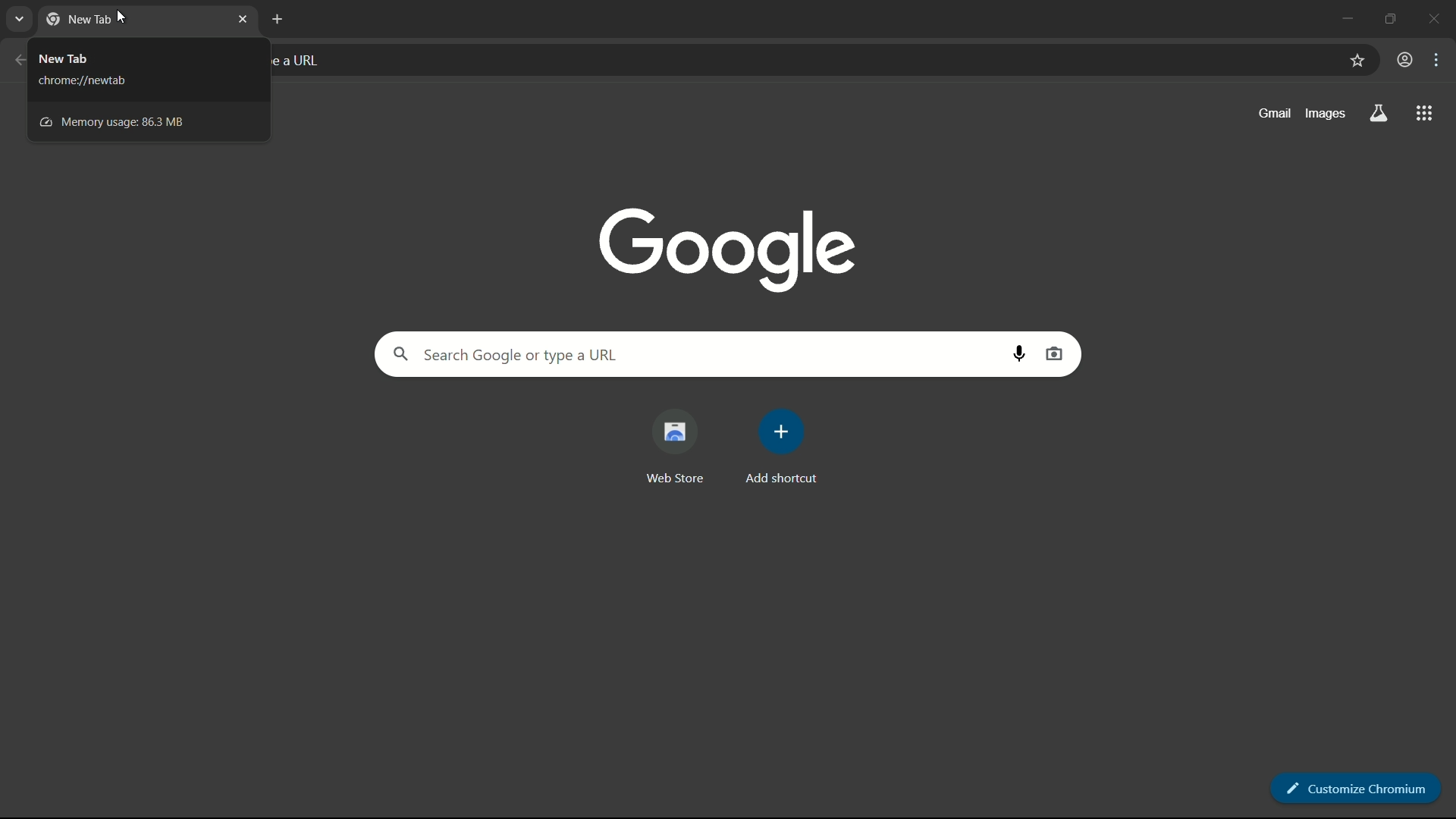  Describe the element at coordinates (124, 18) in the screenshot. I see `cursor` at that location.